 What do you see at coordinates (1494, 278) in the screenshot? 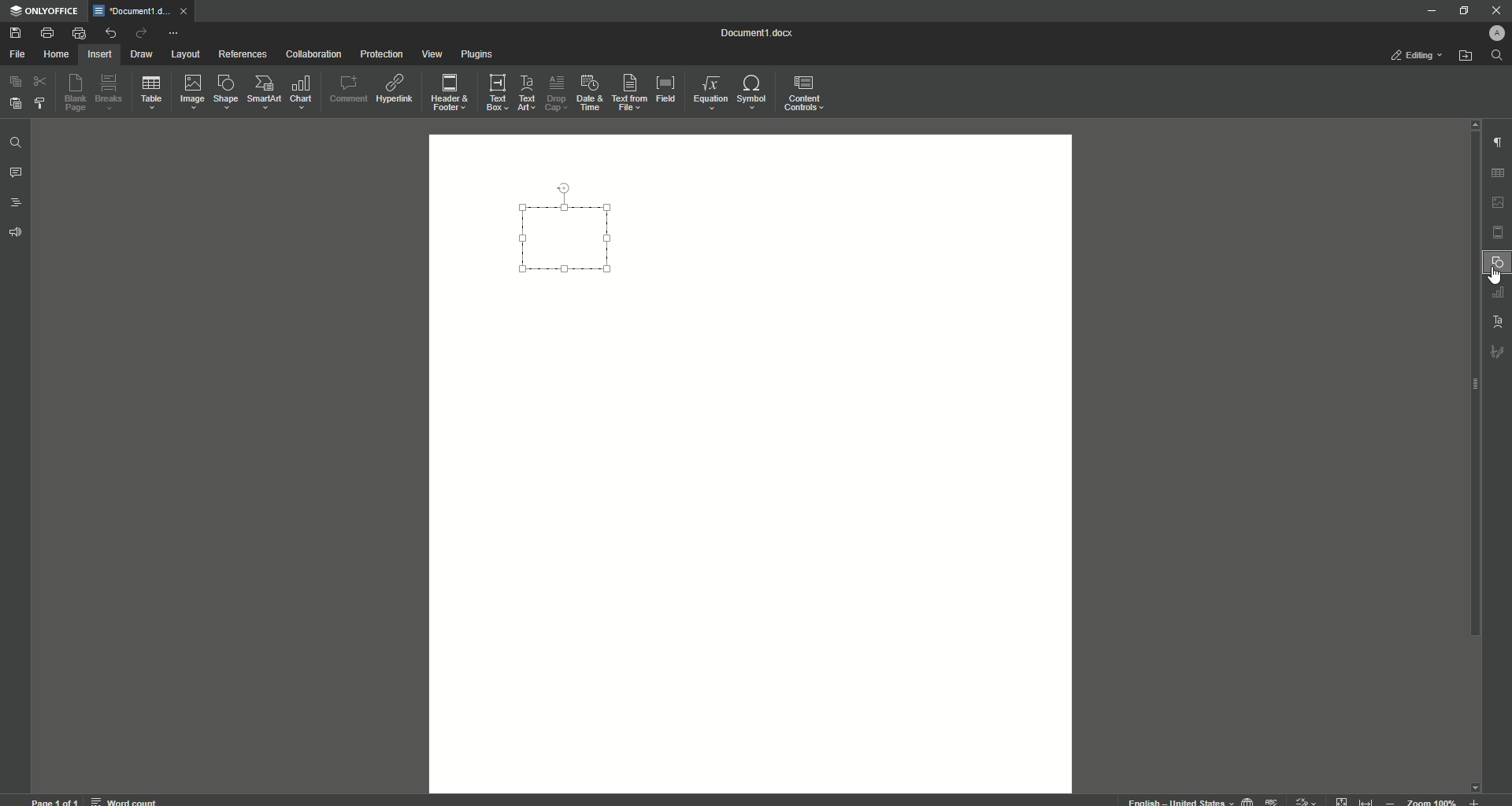
I see `cursor` at bounding box center [1494, 278].